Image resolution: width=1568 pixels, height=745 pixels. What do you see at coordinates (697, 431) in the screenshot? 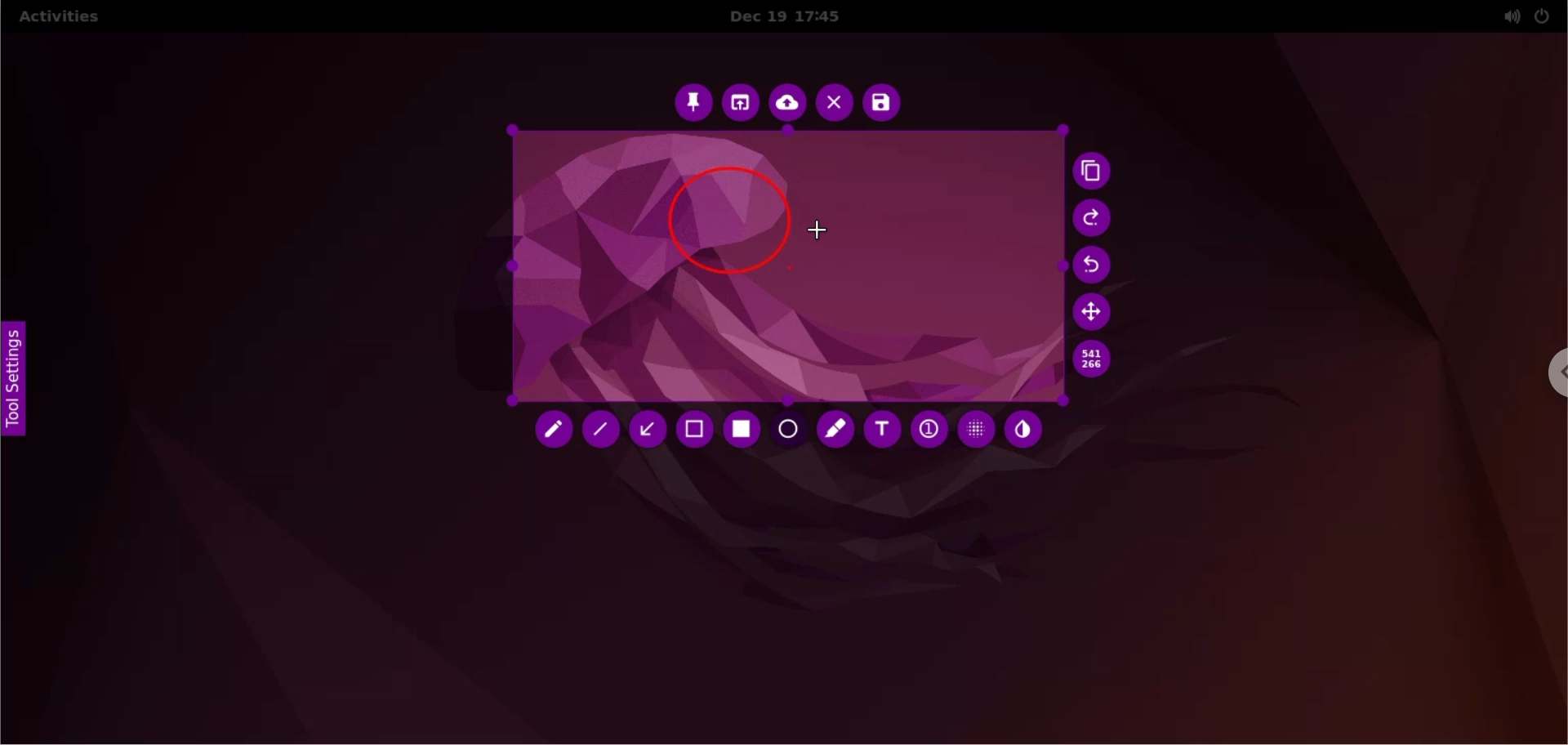
I see `selection tool` at bounding box center [697, 431].